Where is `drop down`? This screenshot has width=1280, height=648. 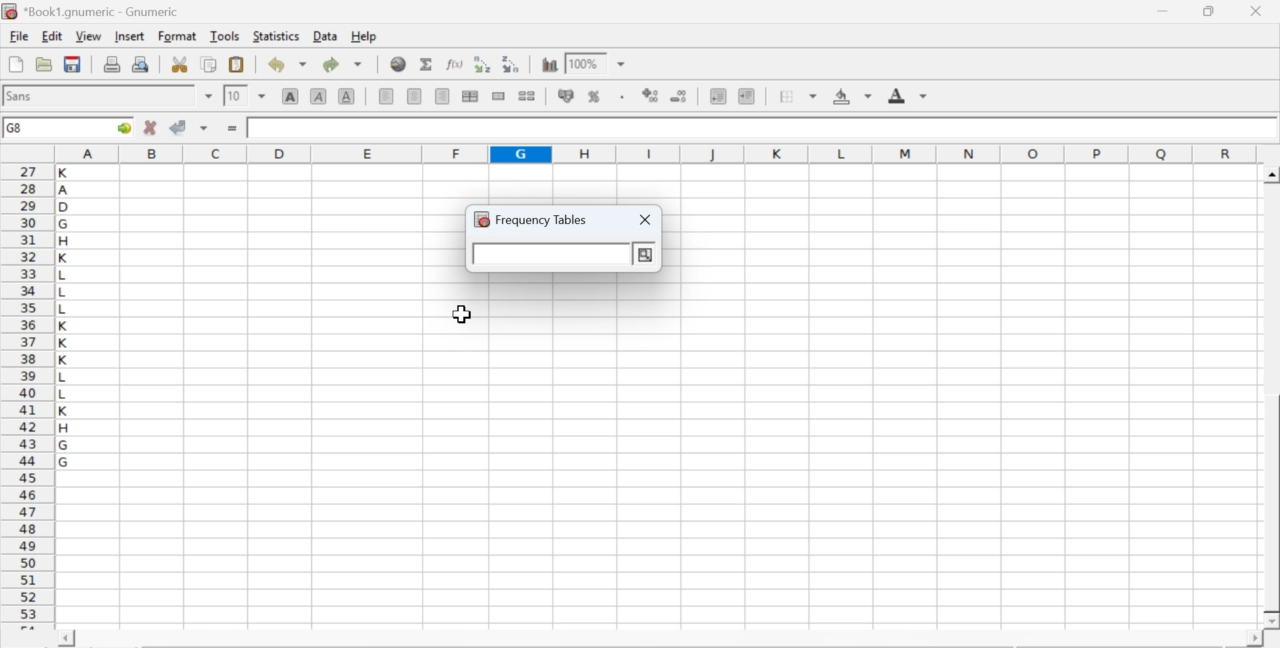 drop down is located at coordinates (262, 95).